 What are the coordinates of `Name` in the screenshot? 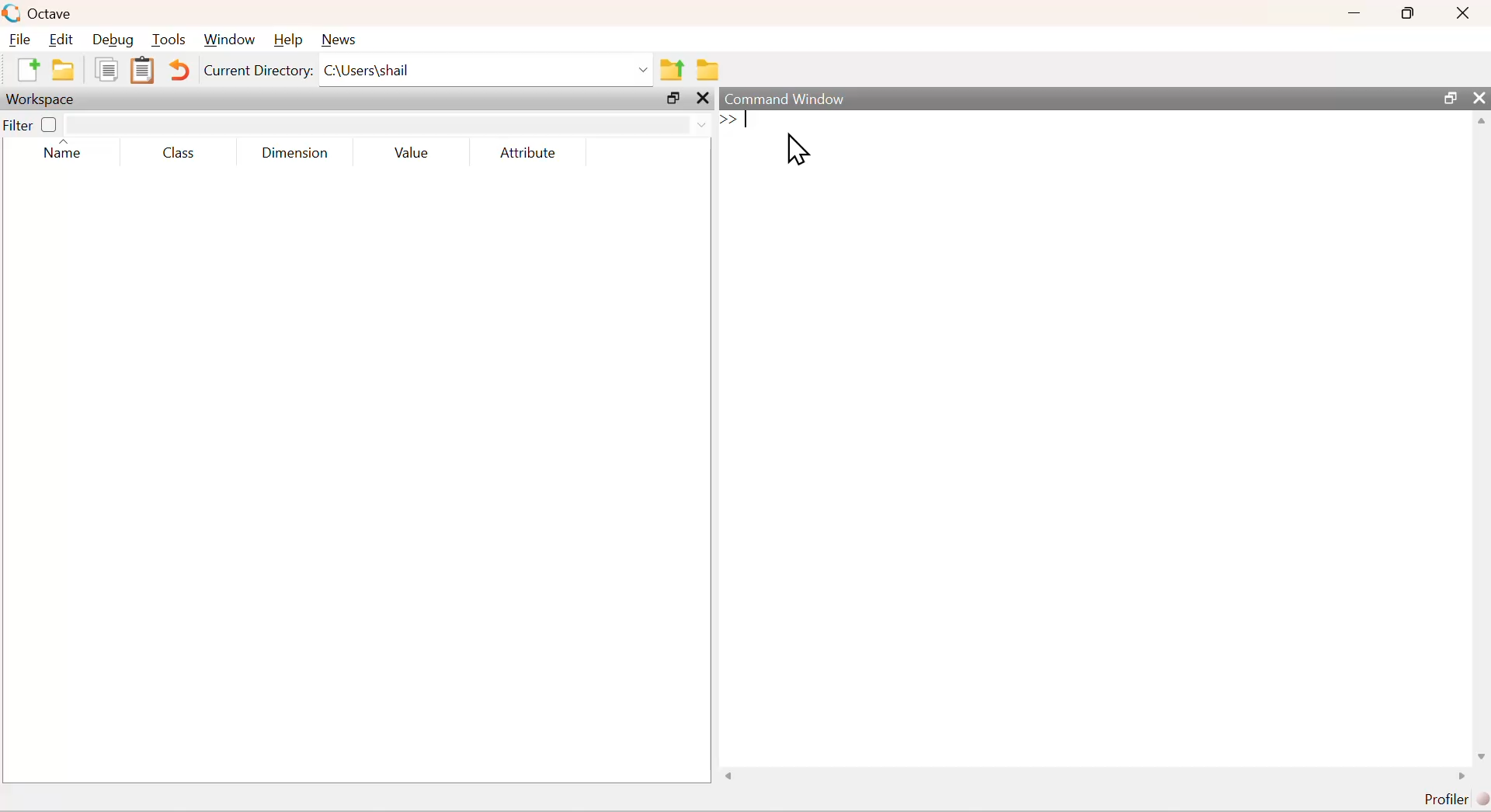 It's located at (68, 151).